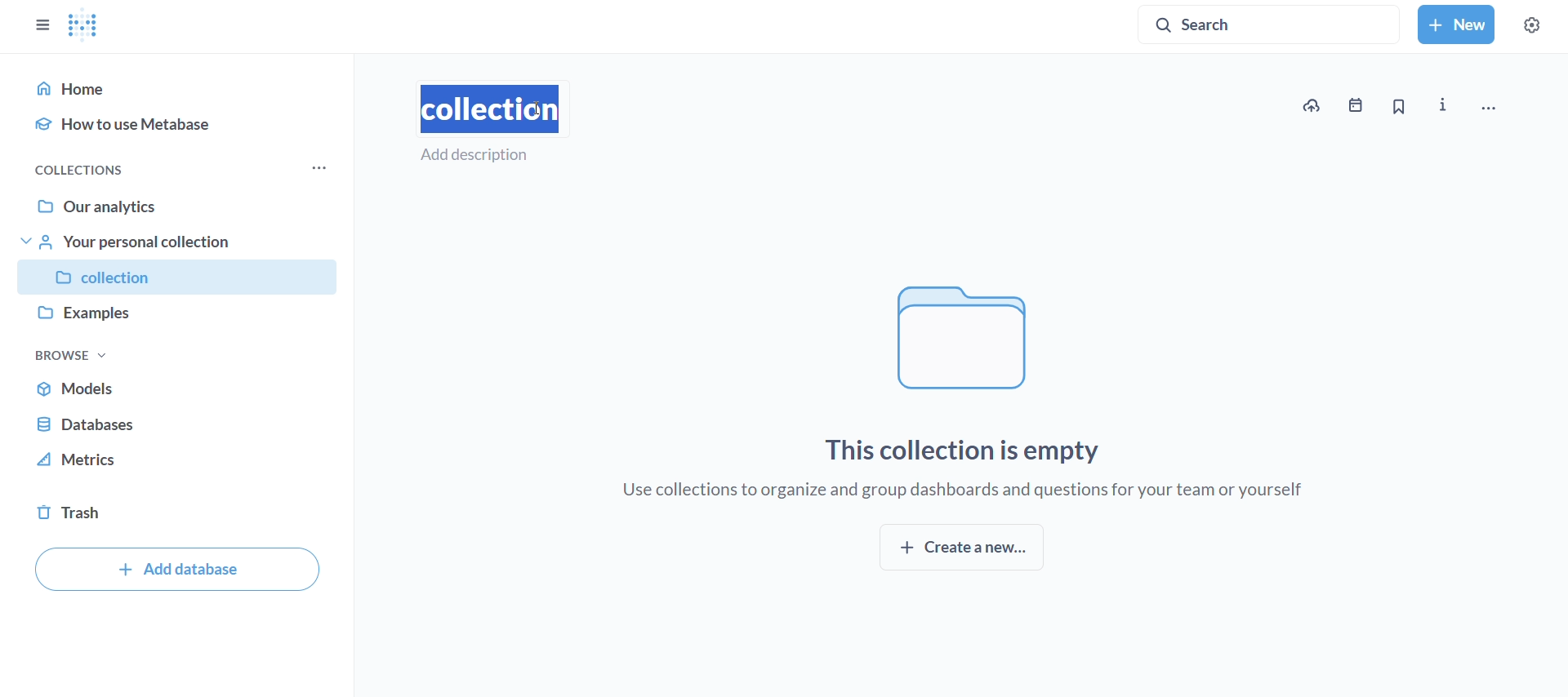  What do you see at coordinates (71, 355) in the screenshot?
I see `browse` at bounding box center [71, 355].